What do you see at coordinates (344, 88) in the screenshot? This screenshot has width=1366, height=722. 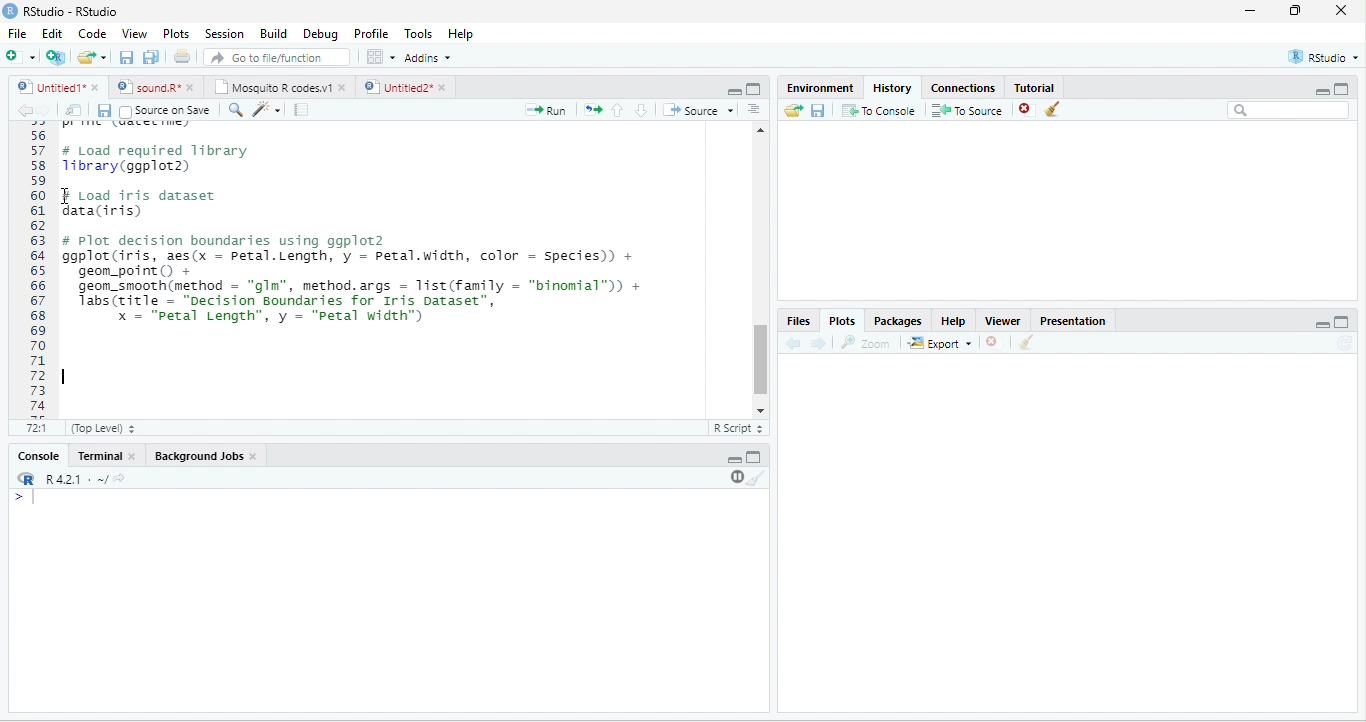 I see `close` at bounding box center [344, 88].